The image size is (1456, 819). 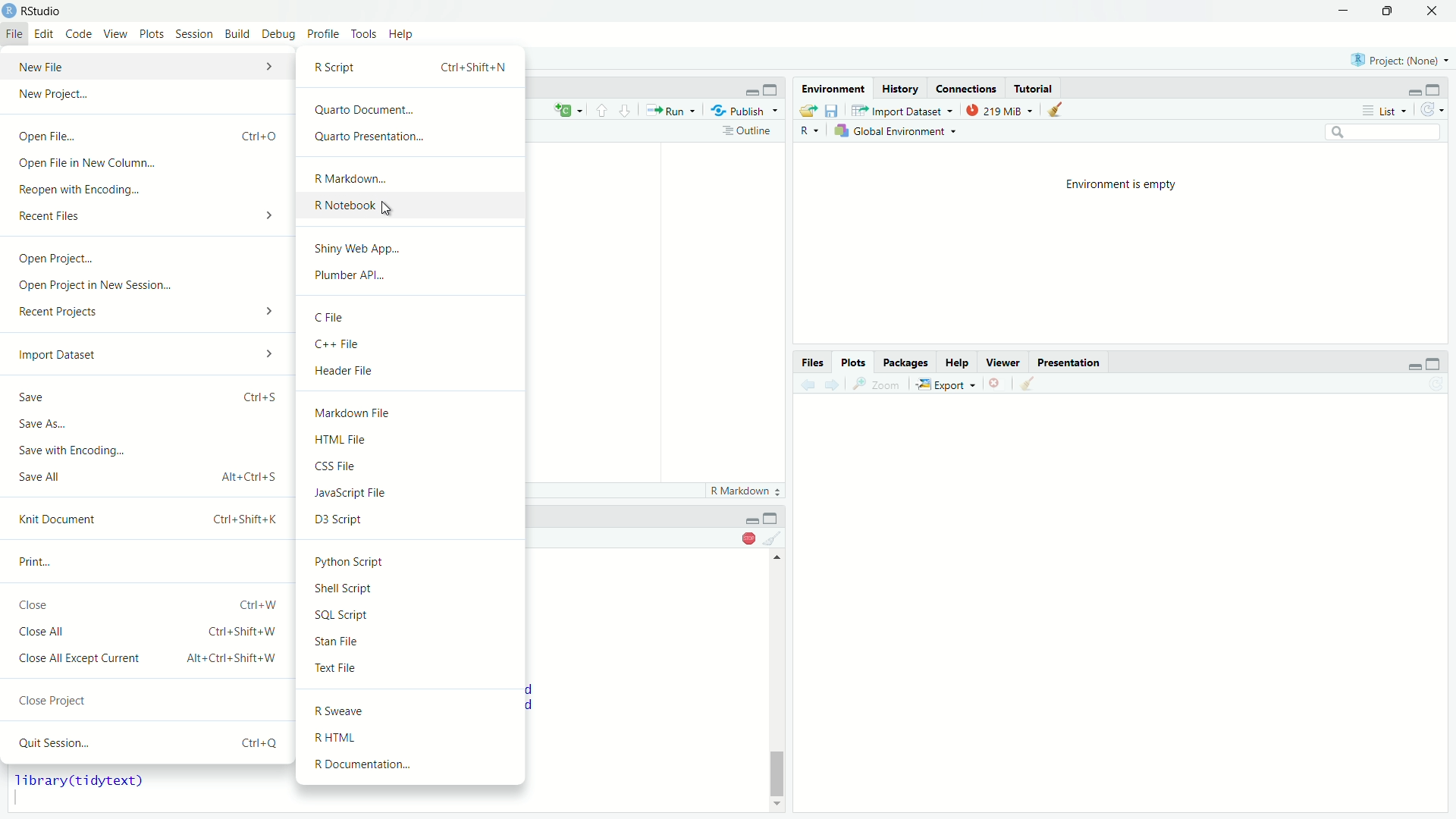 What do you see at coordinates (1119, 183) in the screenshot?
I see `Environment is empty` at bounding box center [1119, 183].